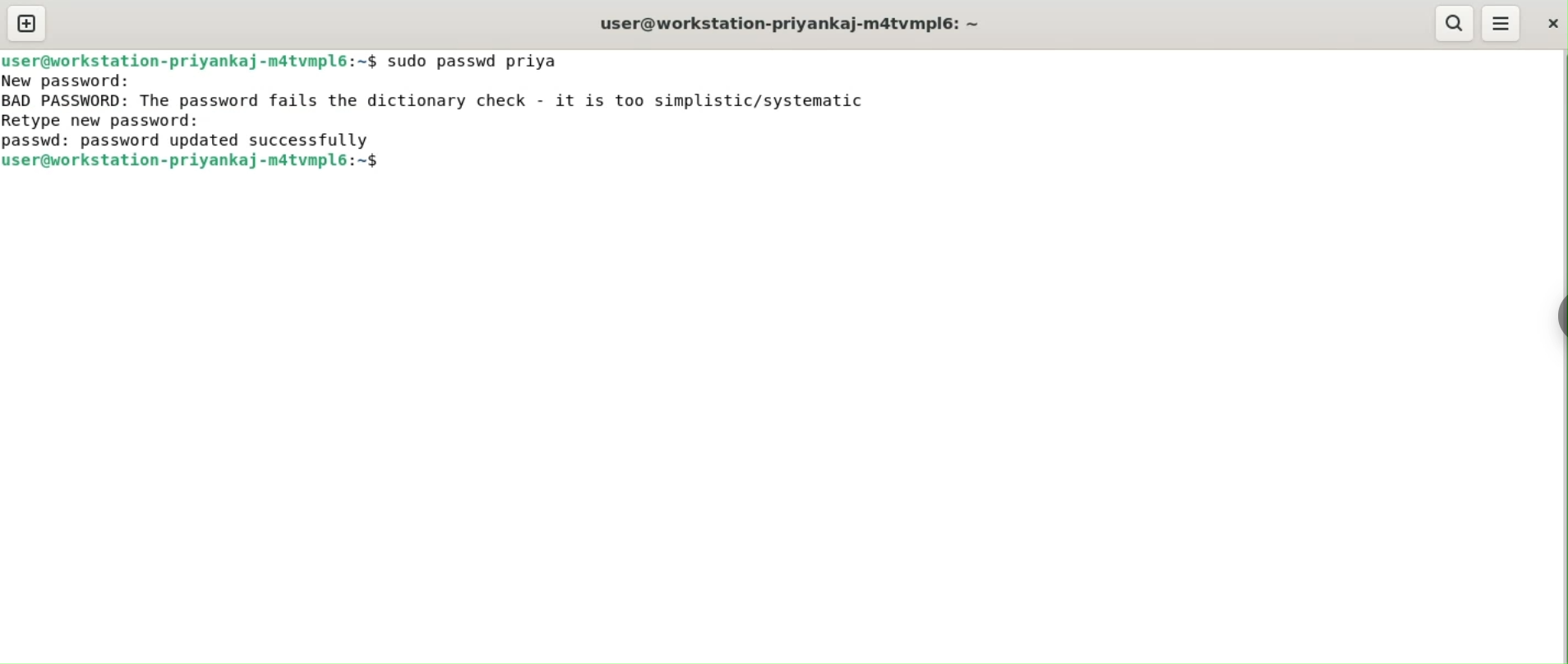  I want to click on user@workstation-priyankaj-m4tvmpl6:-$, so click(194, 164).